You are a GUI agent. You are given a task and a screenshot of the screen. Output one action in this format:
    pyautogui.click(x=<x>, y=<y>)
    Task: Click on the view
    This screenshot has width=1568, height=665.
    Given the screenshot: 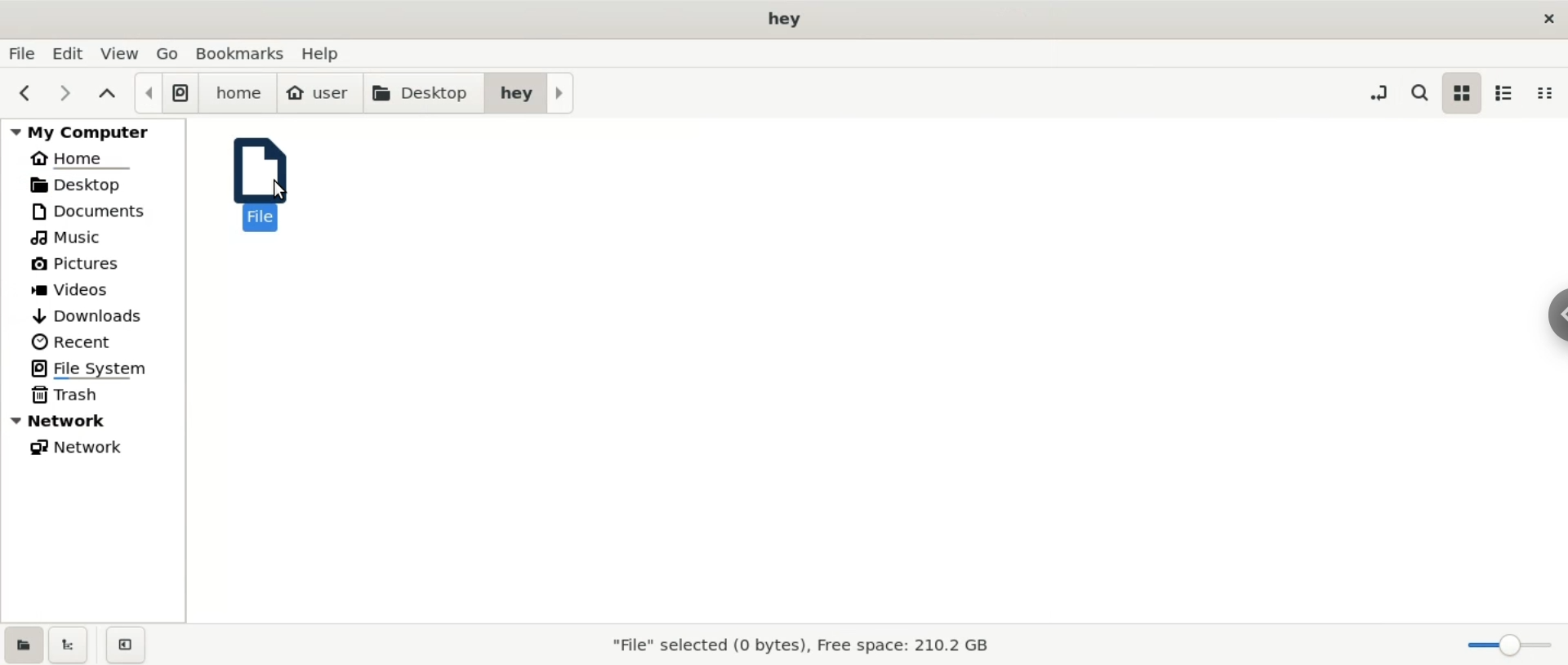 What is the action you would take?
    pyautogui.click(x=123, y=53)
    